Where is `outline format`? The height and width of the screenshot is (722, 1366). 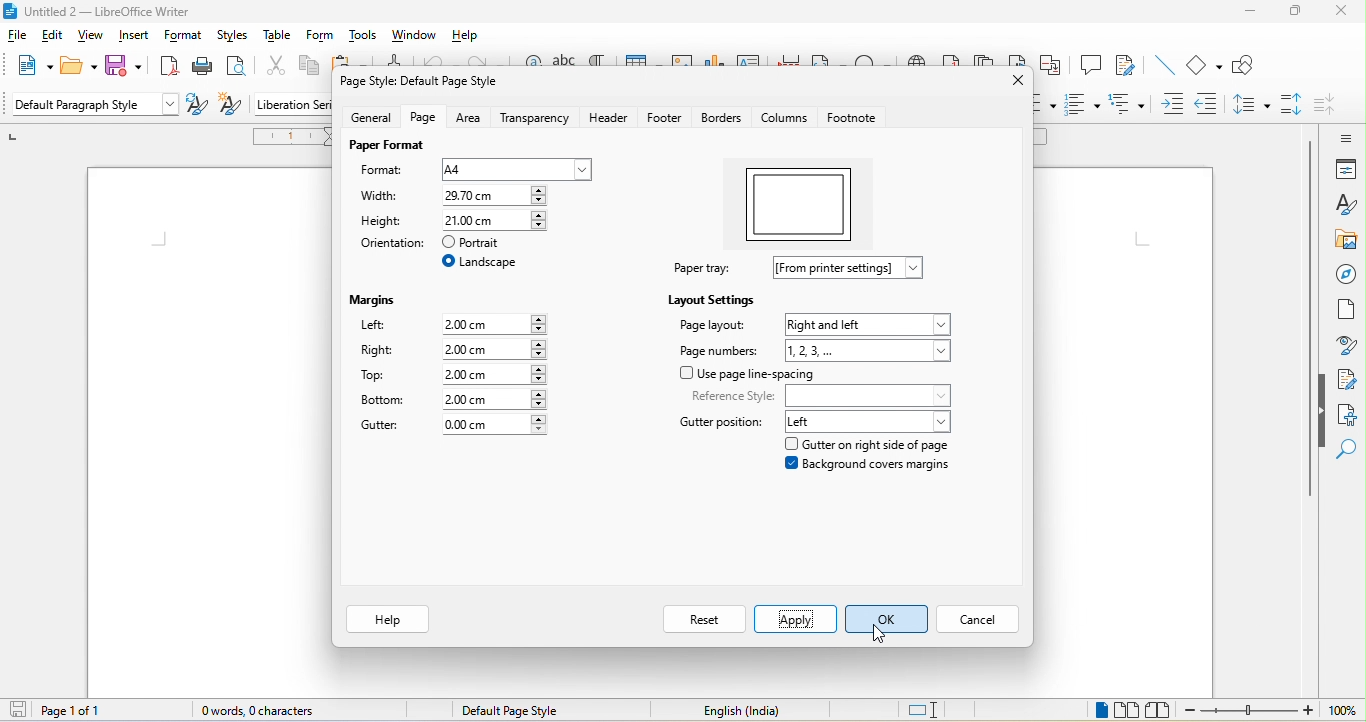 outline format is located at coordinates (1127, 103).